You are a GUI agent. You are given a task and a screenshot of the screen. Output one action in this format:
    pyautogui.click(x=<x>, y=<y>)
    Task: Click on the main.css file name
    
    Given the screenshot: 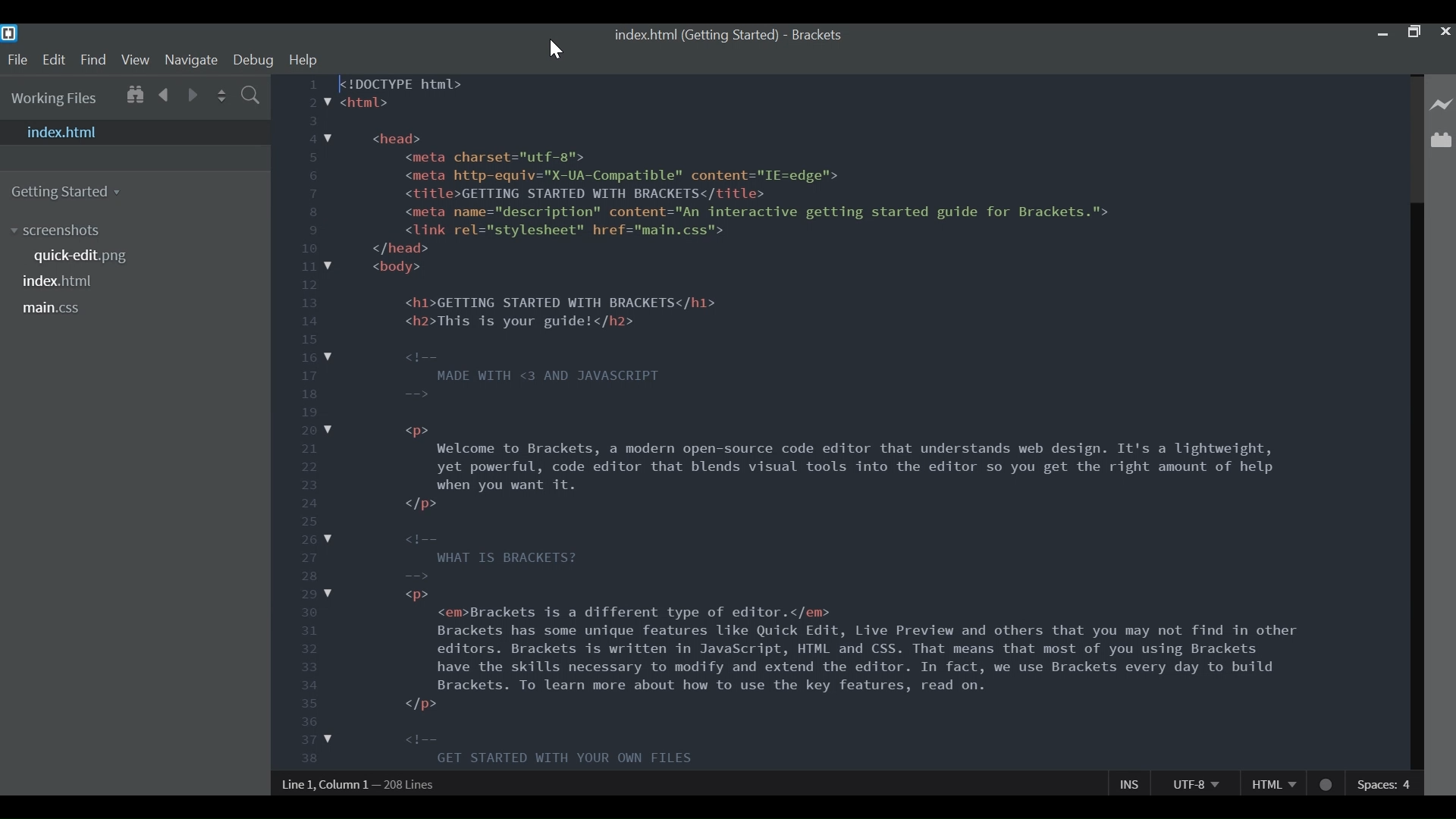 What is the action you would take?
    pyautogui.click(x=54, y=309)
    